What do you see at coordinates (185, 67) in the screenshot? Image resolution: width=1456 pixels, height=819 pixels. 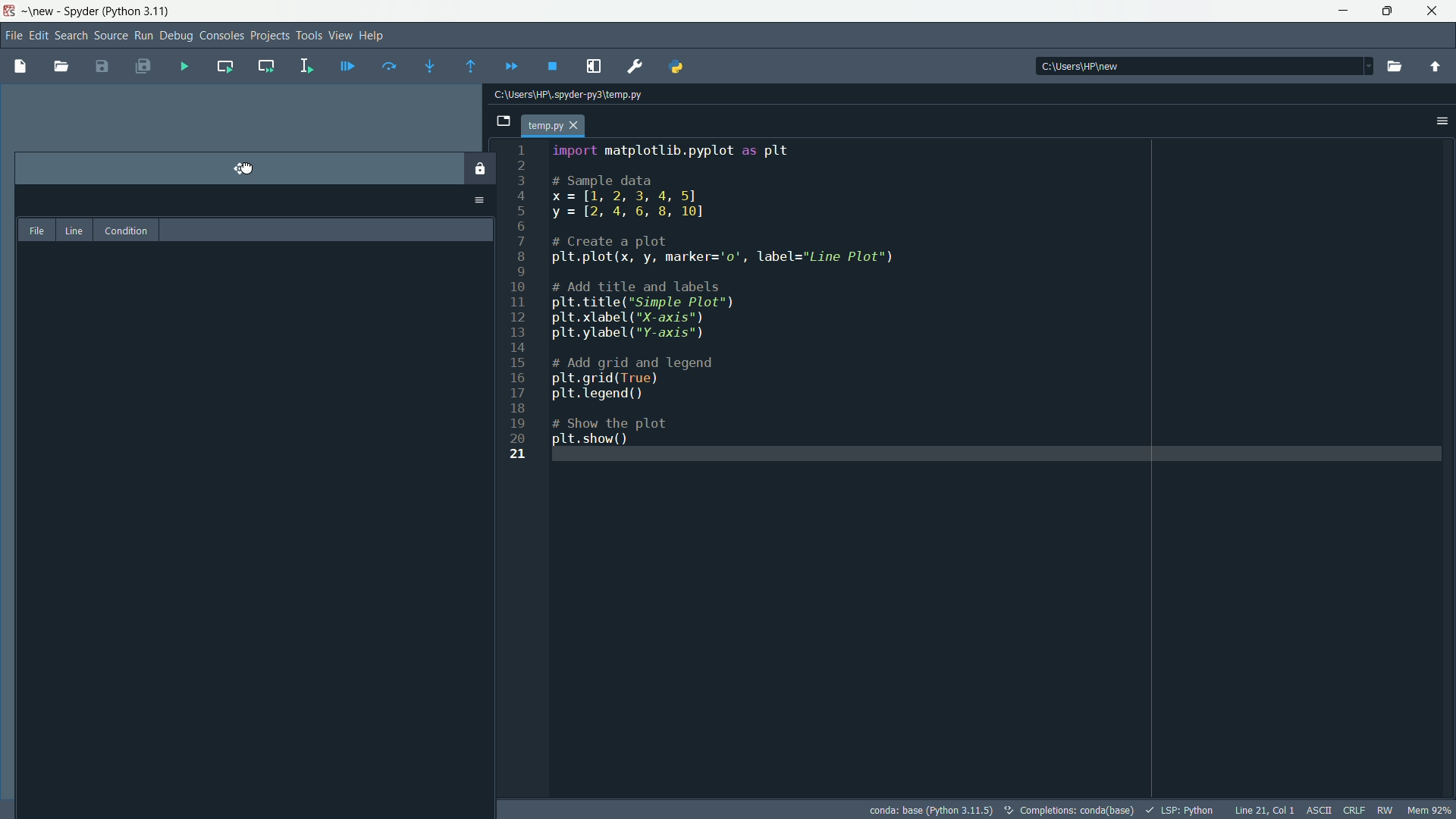 I see `run file` at bounding box center [185, 67].